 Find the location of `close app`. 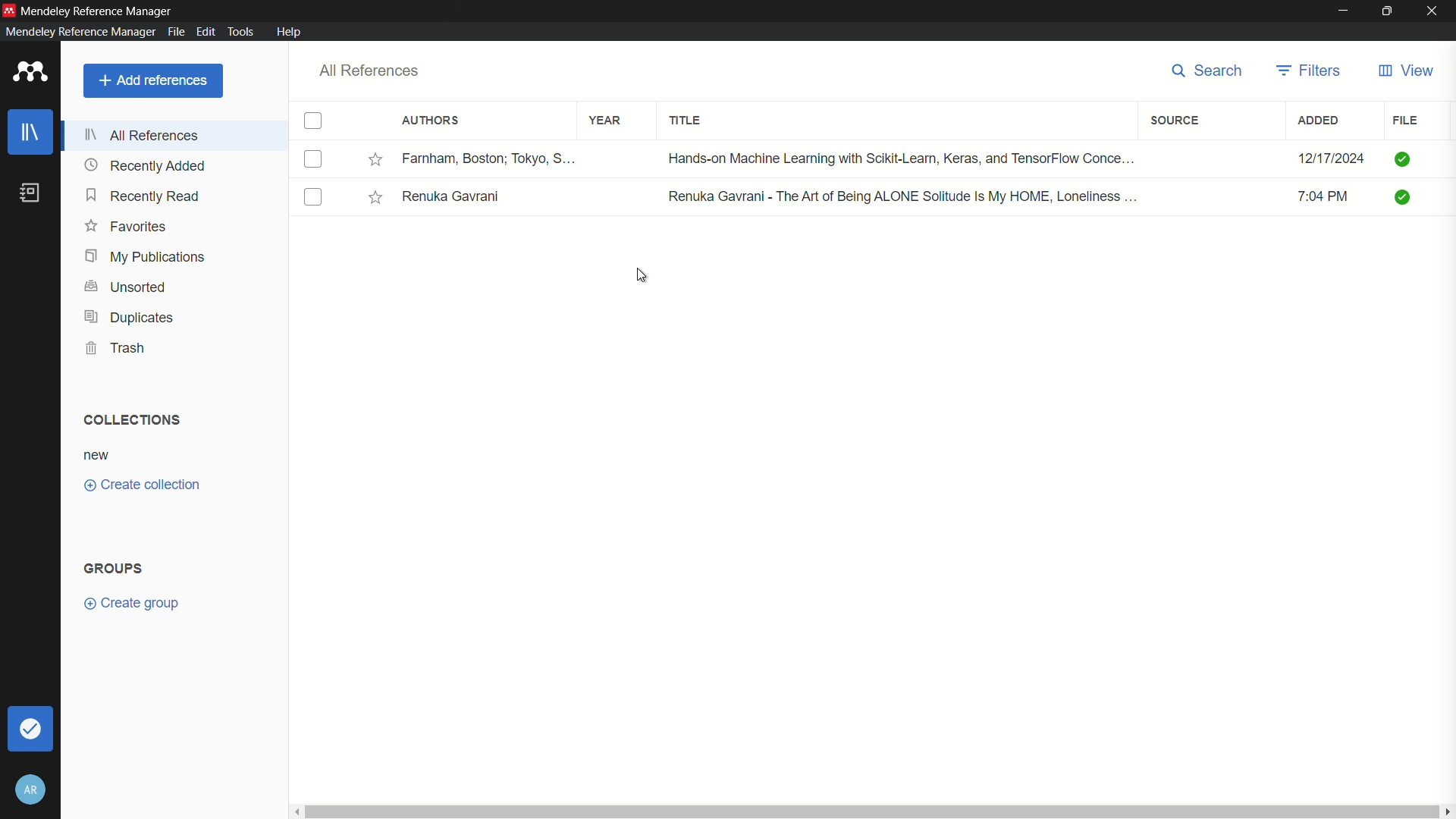

close app is located at coordinates (1435, 11).